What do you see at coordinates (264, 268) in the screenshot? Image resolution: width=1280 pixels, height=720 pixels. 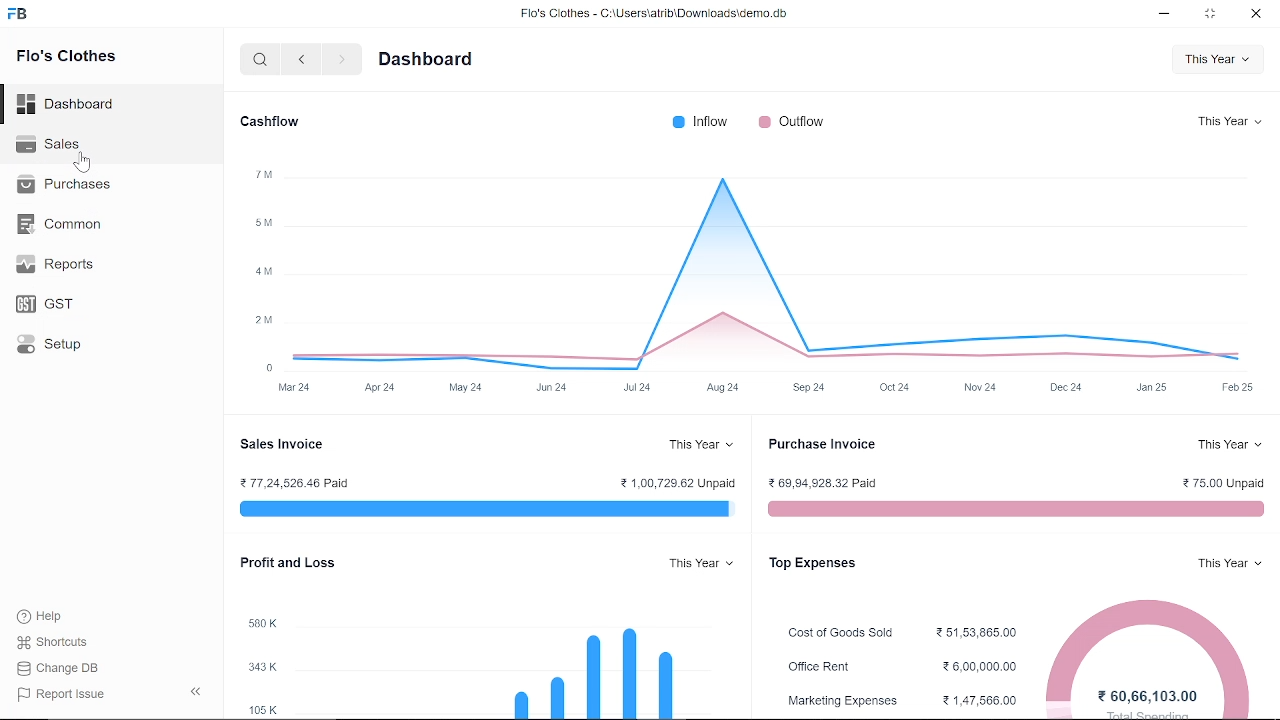 I see `y-axis label` at bounding box center [264, 268].